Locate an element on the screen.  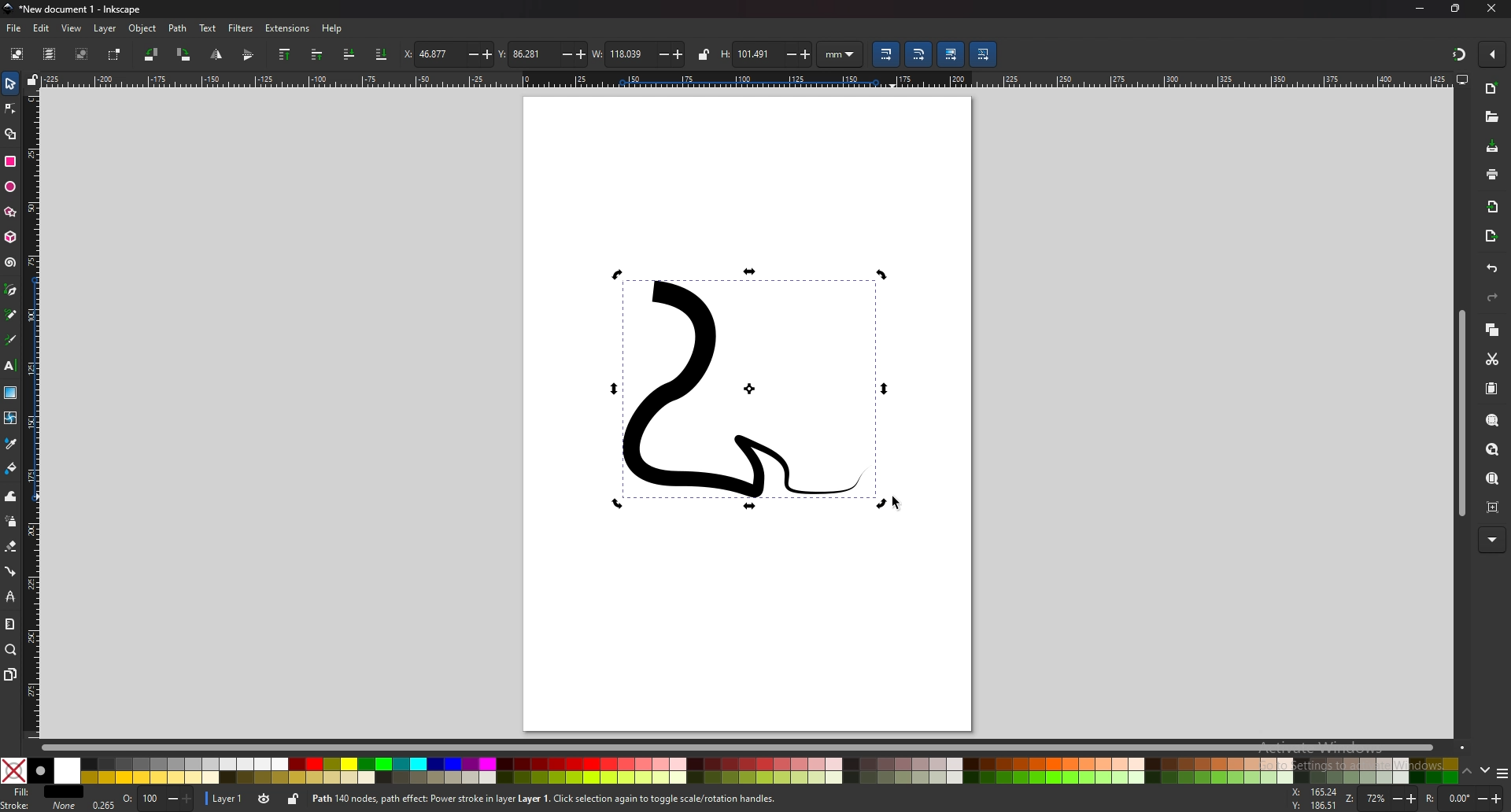
export is located at coordinates (1493, 236).